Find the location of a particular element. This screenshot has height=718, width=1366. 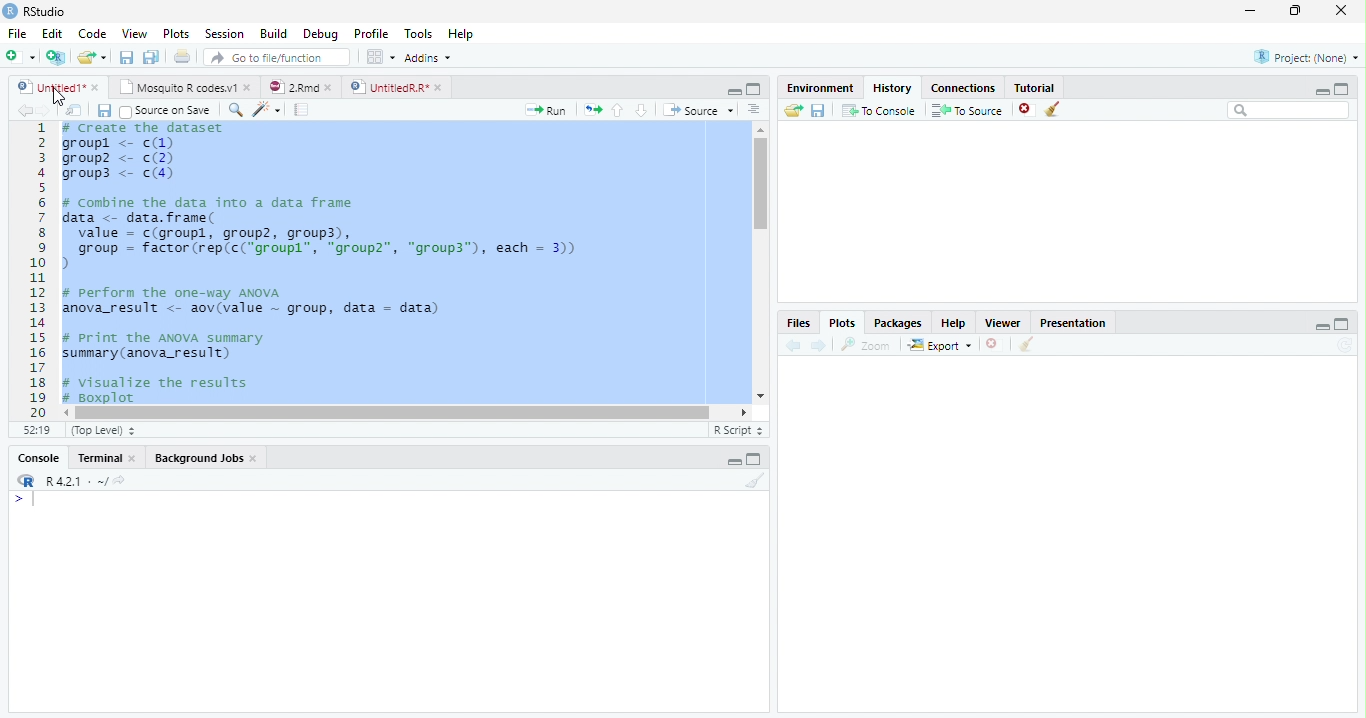

Files is located at coordinates (797, 323).